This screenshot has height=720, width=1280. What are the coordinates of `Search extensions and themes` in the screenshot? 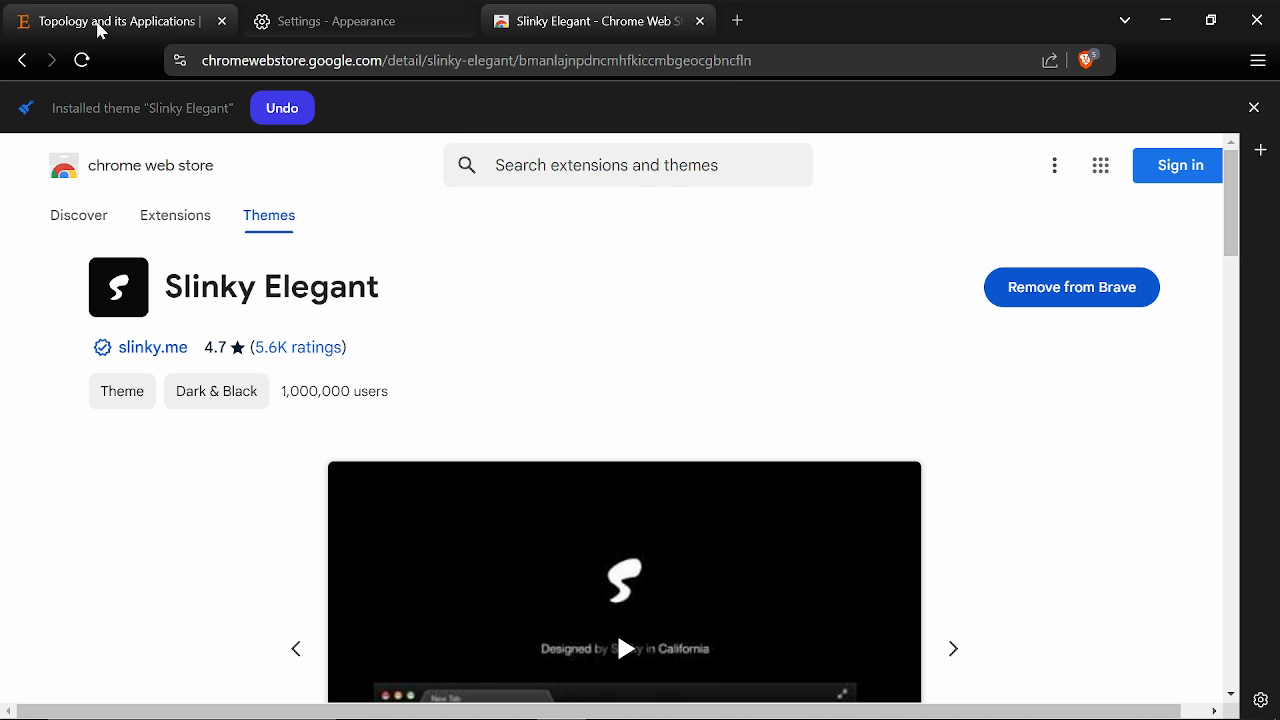 It's located at (634, 167).